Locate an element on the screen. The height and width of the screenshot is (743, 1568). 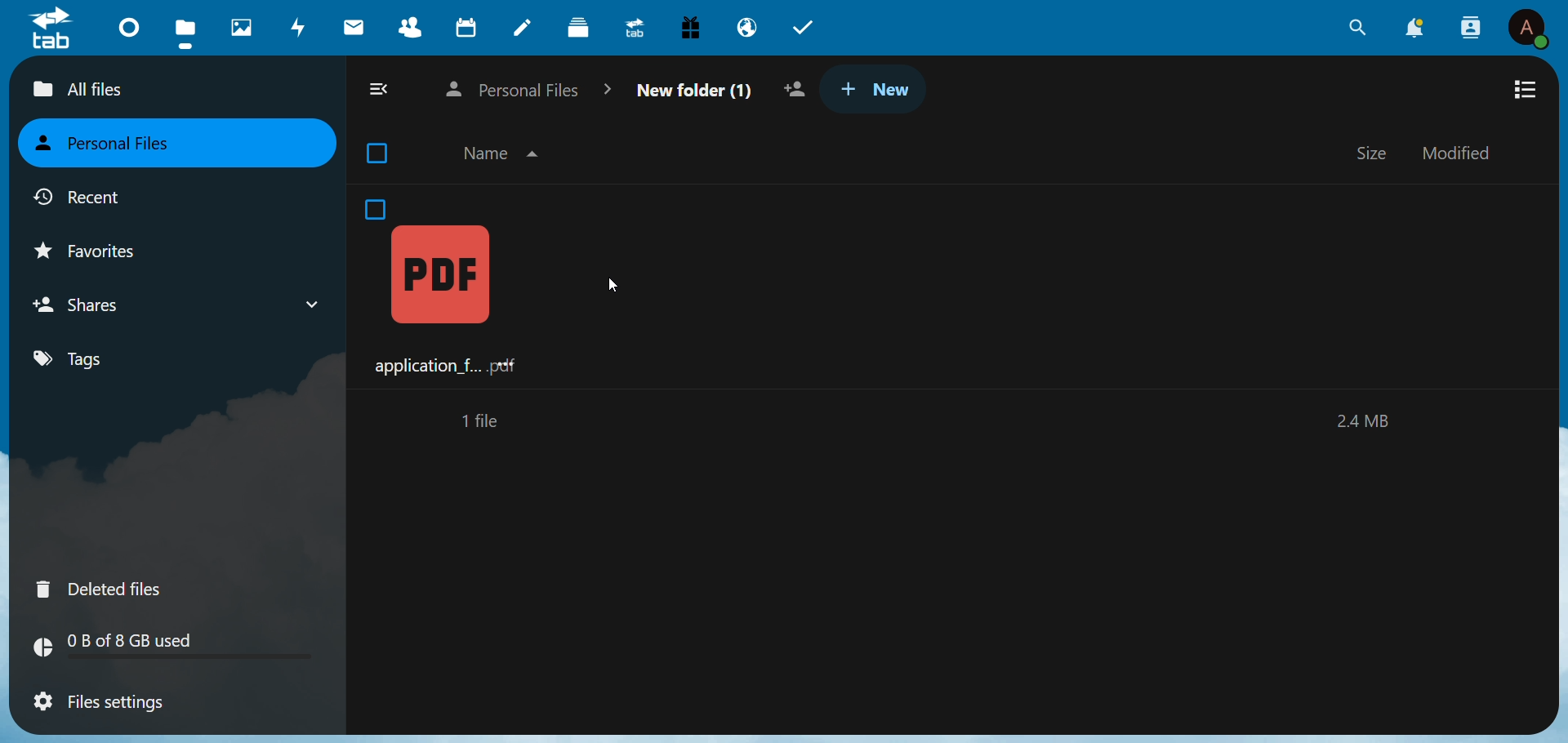
cursor is located at coordinates (612, 284).